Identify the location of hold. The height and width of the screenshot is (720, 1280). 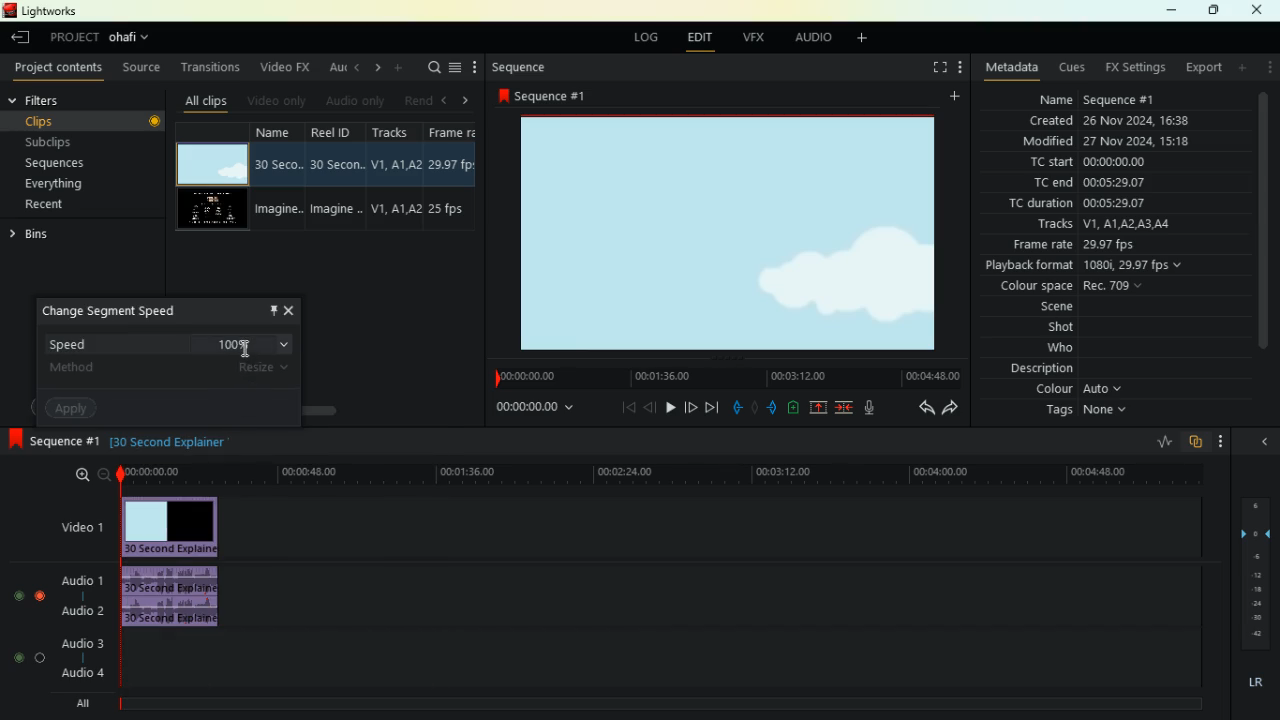
(754, 406).